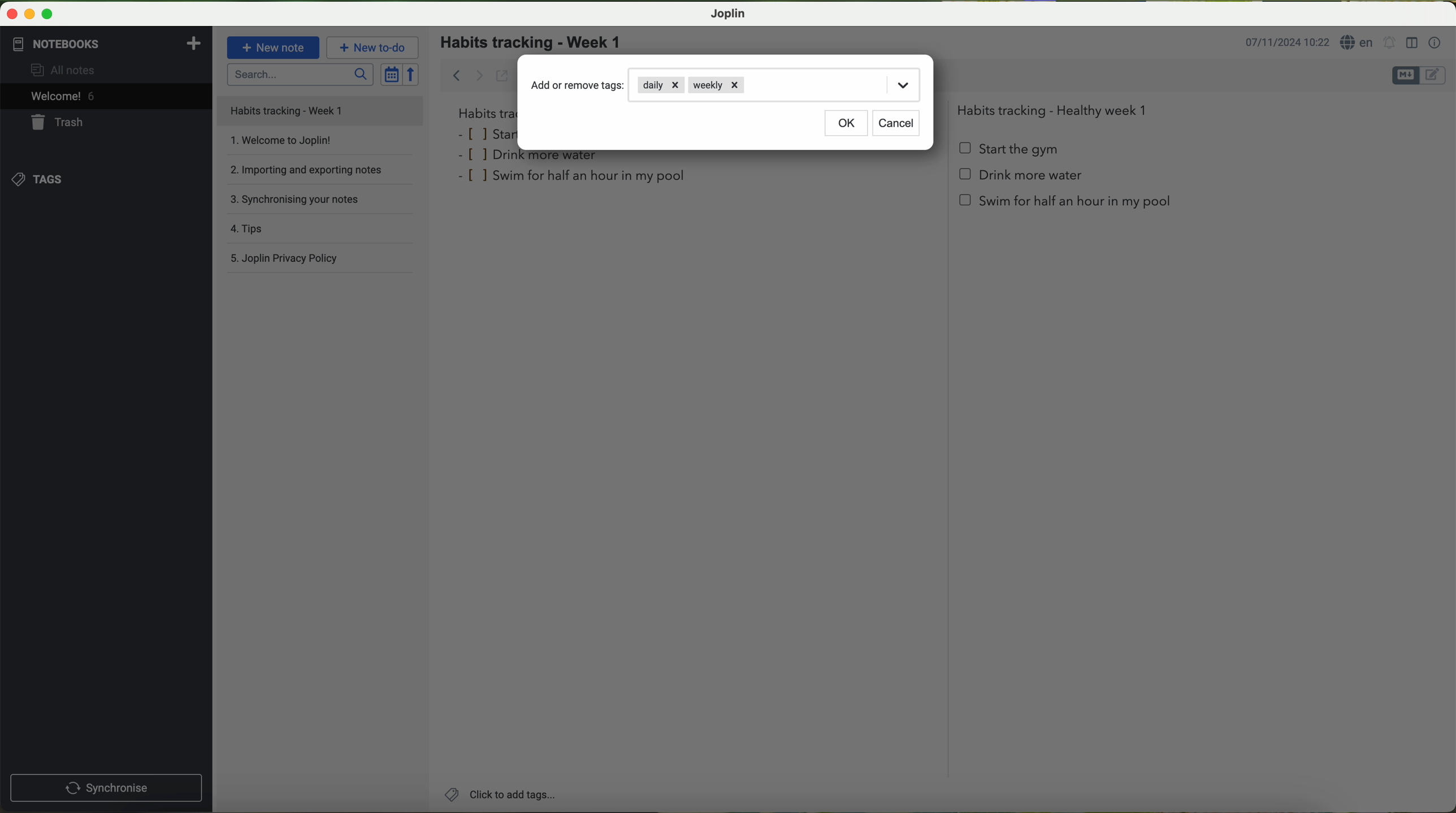 This screenshot has height=813, width=1456. What do you see at coordinates (538, 43) in the screenshot?
I see `habits tracking - week 1` at bounding box center [538, 43].